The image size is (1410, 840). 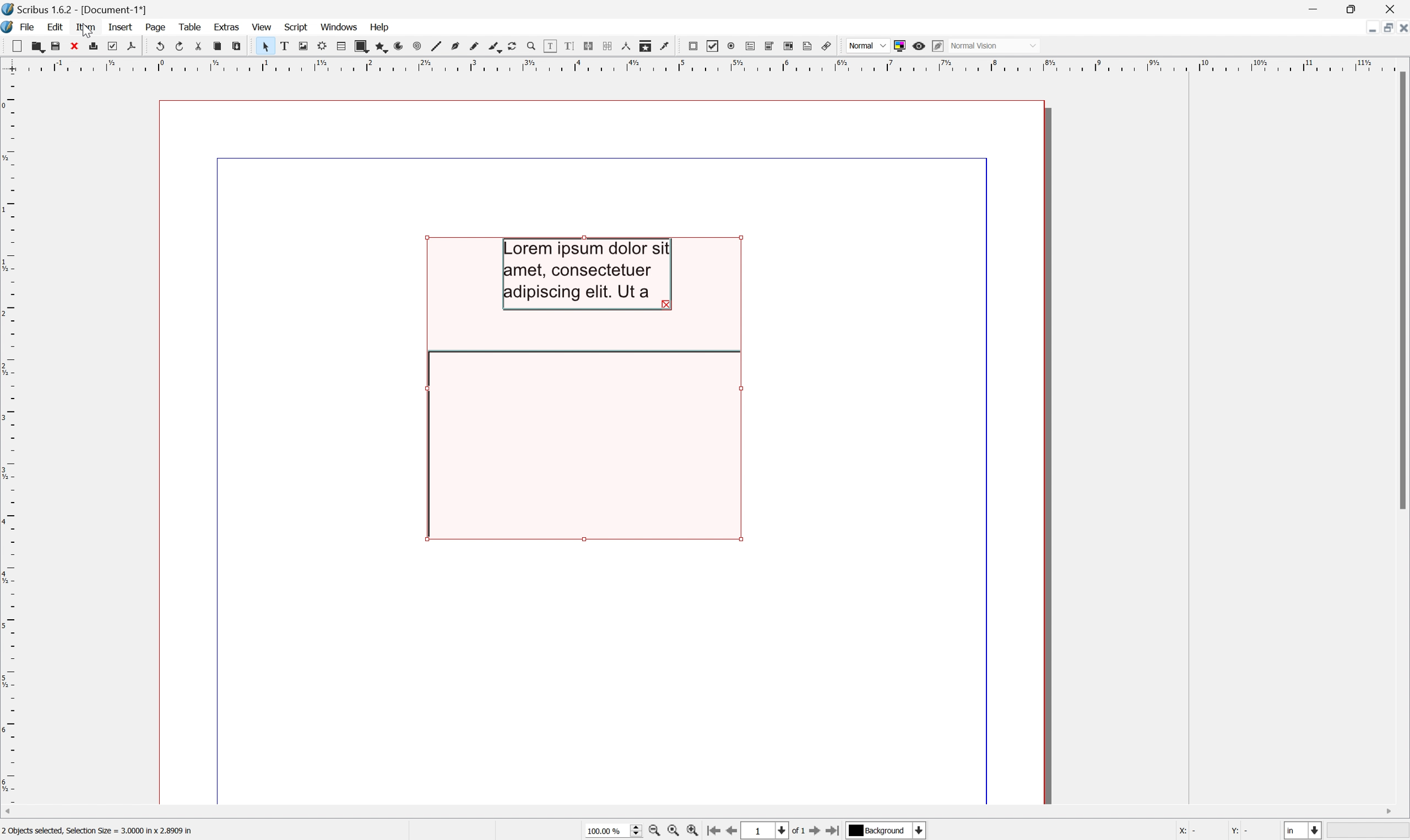 I want to click on Go to the previous page, so click(x=735, y=830).